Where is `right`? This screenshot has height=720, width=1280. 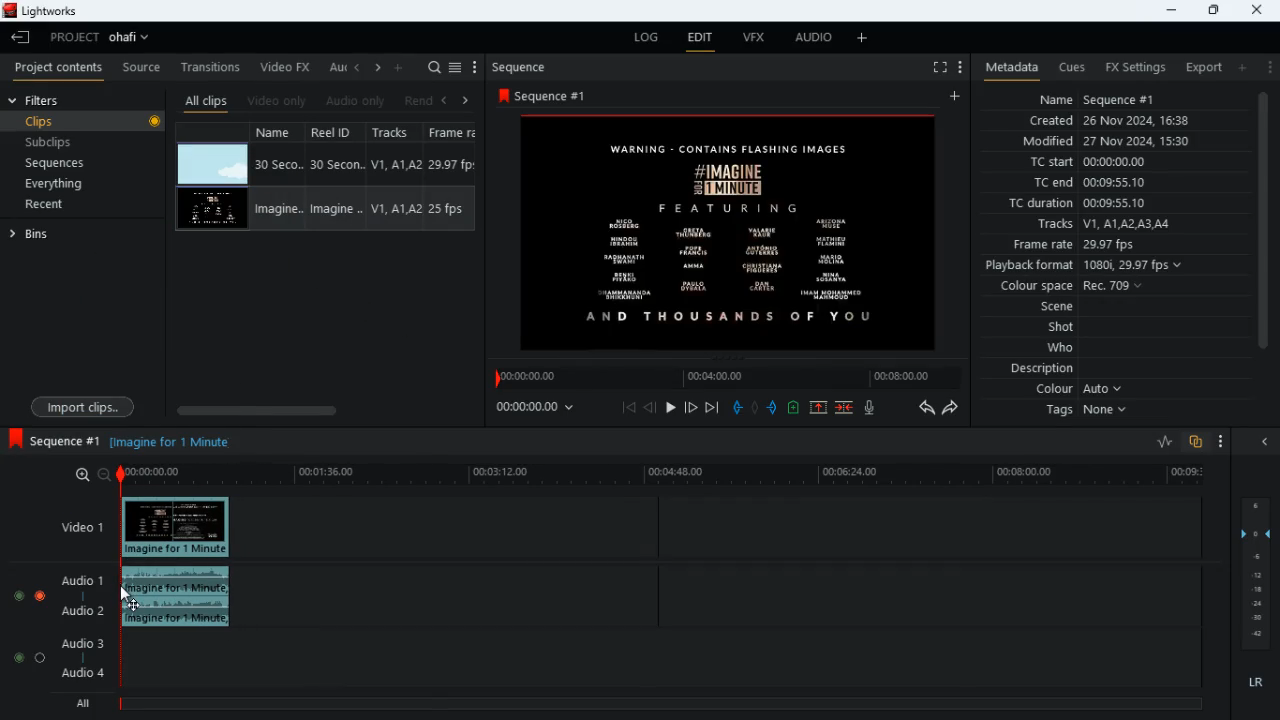
right is located at coordinates (466, 100).